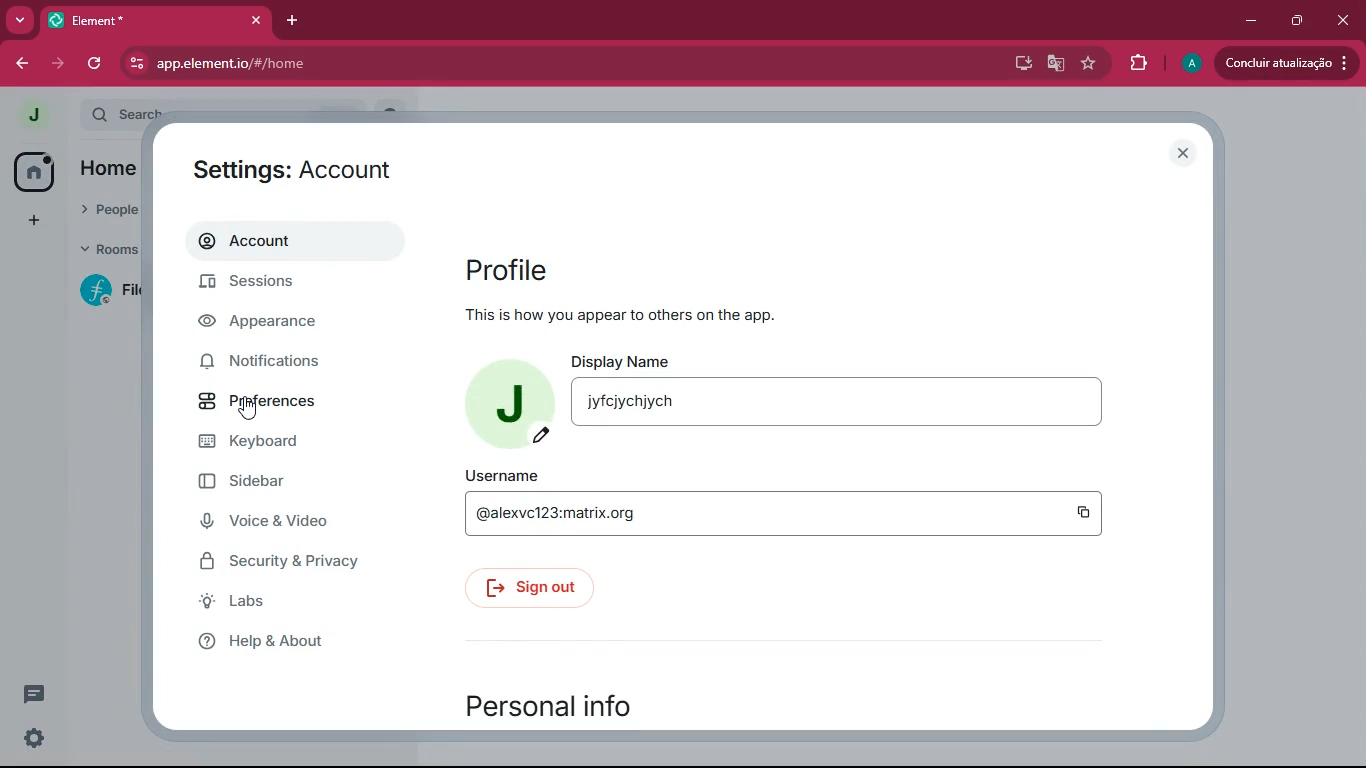 This screenshot has height=768, width=1366. What do you see at coordinates (107, 170) in the screenshot?
I see `home` at bounding box center [107, 170].